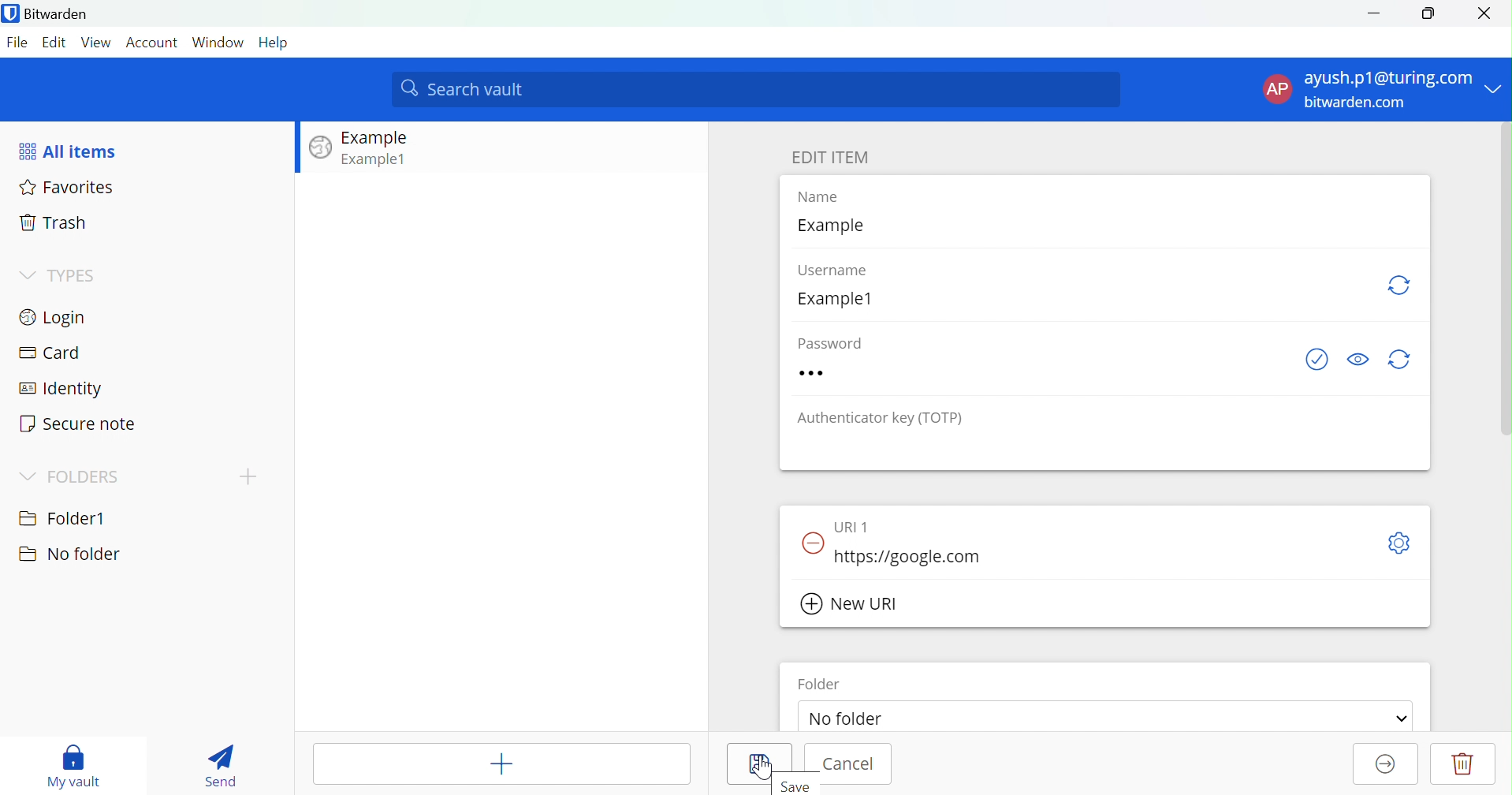  Describe the element at coordinates (74, 277) in the screenshot. I see `TYPES` at that location.